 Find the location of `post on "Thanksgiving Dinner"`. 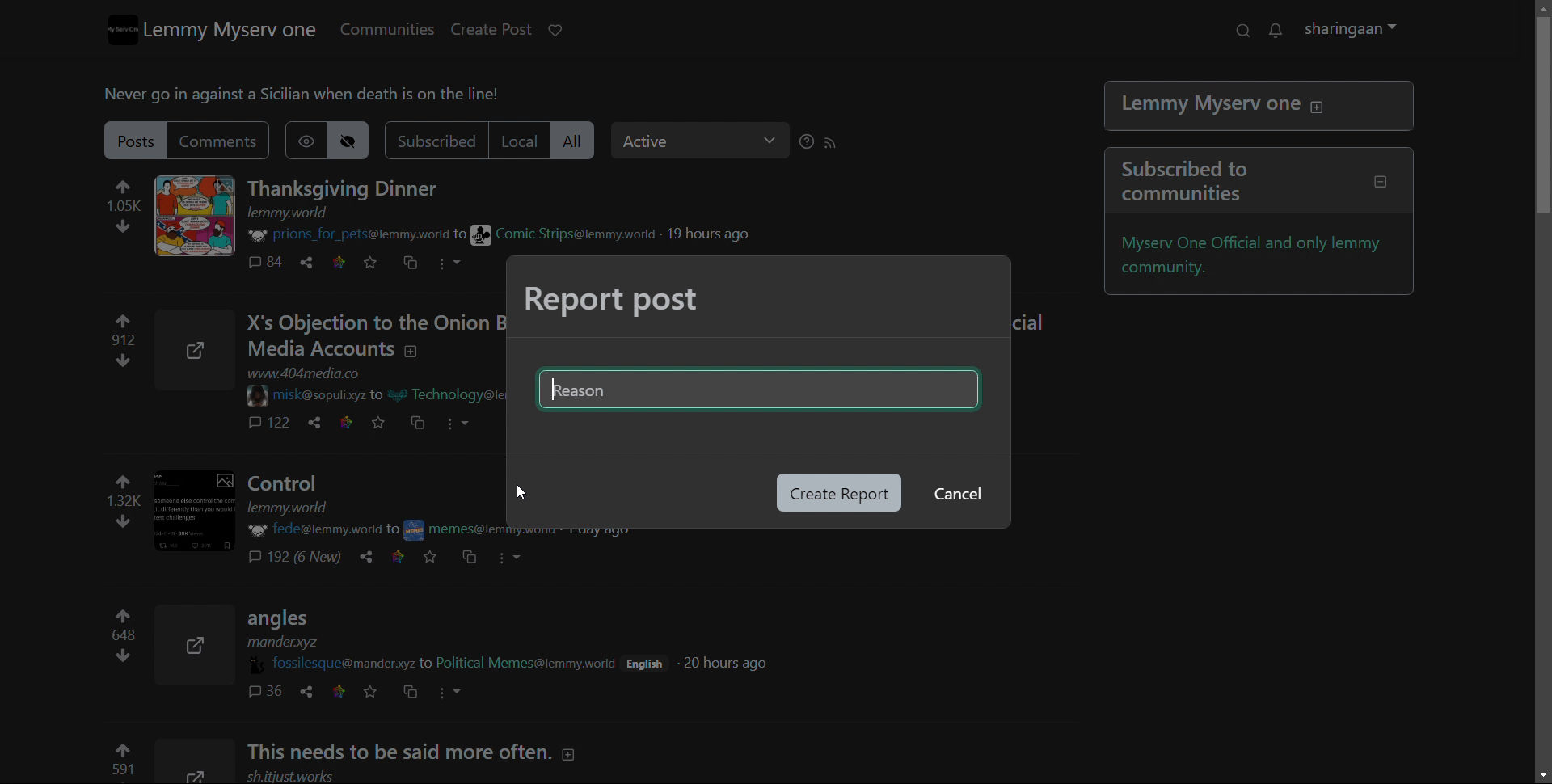

post on "Thanksgiving Dinner" is located at coordinates (353, 189).